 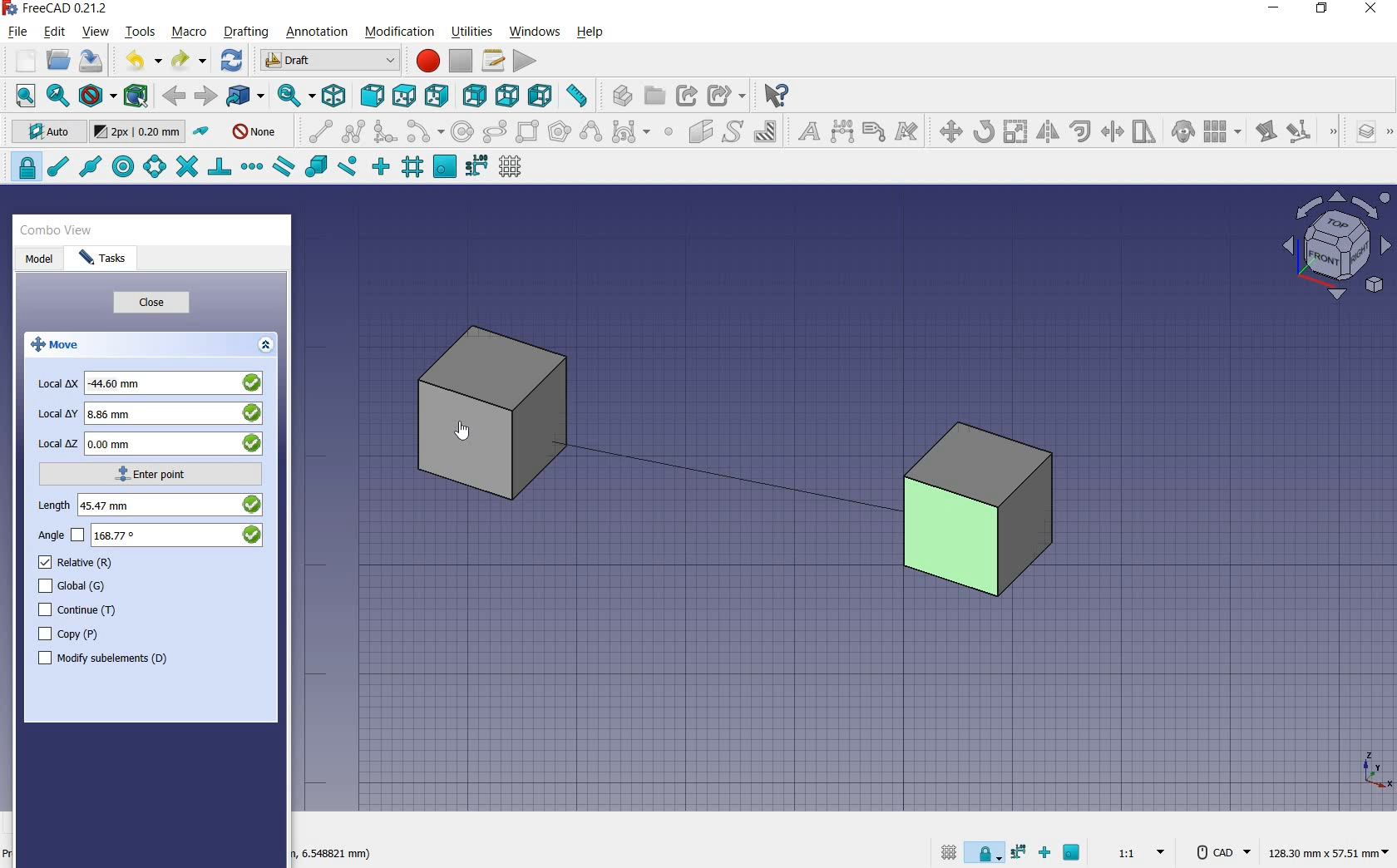 What do you see at coordinates (1275, 10) in the screenshot?
I see `minimize` at bounding box center [1275, 10].